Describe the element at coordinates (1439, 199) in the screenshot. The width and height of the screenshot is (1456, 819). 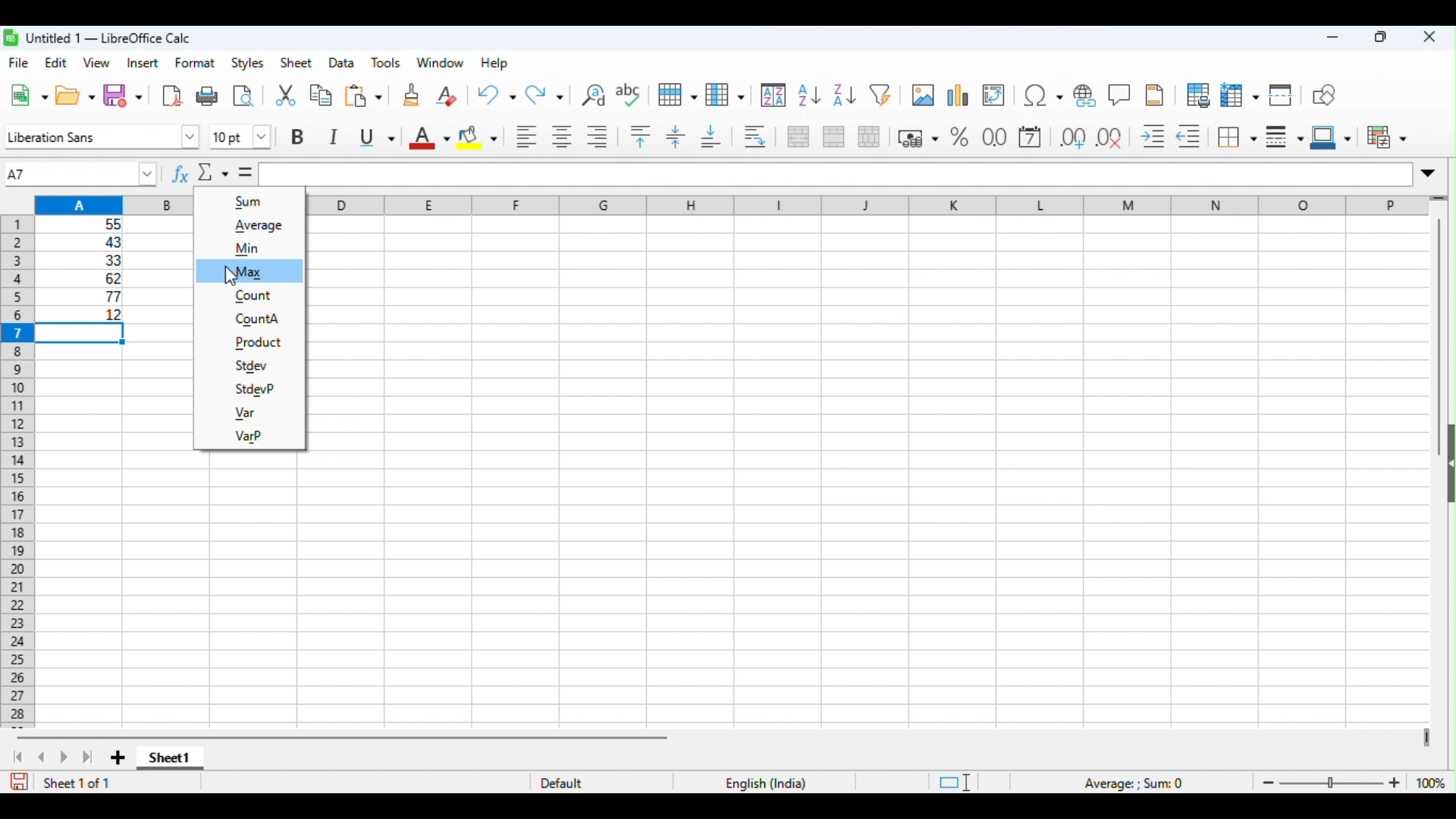
I see `drag to view more rows` at that location.